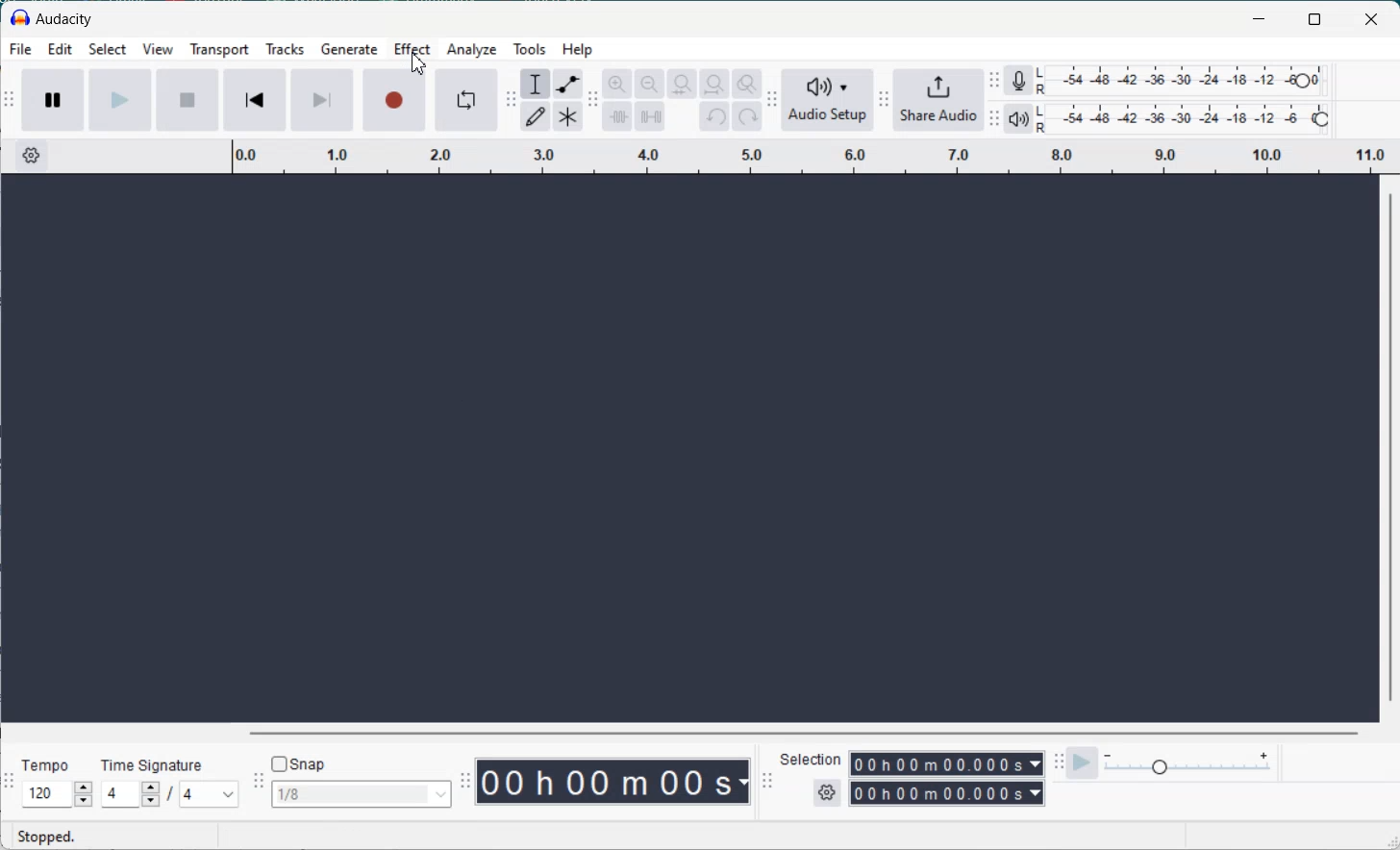 Image resolution: width=1400 pixels, height=850 pixels. Describe the element at coordinates (129, 794) in the screenshot. I see `Time Signature adjustment` at that location.